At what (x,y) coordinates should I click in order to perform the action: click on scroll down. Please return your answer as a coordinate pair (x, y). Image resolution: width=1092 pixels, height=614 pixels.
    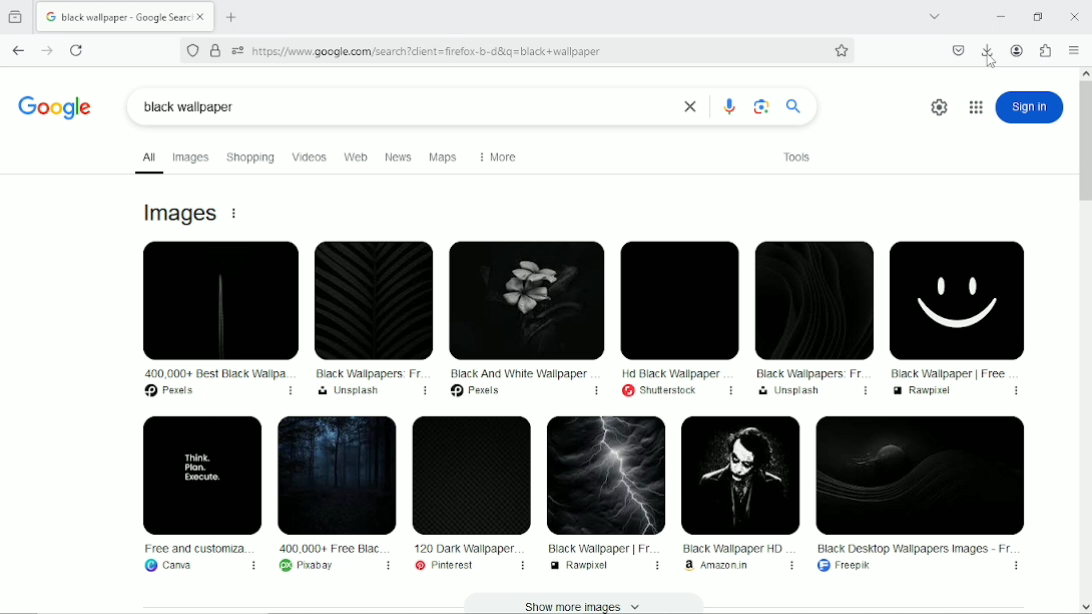
    Looking at the image, I should click on (1085, 606).